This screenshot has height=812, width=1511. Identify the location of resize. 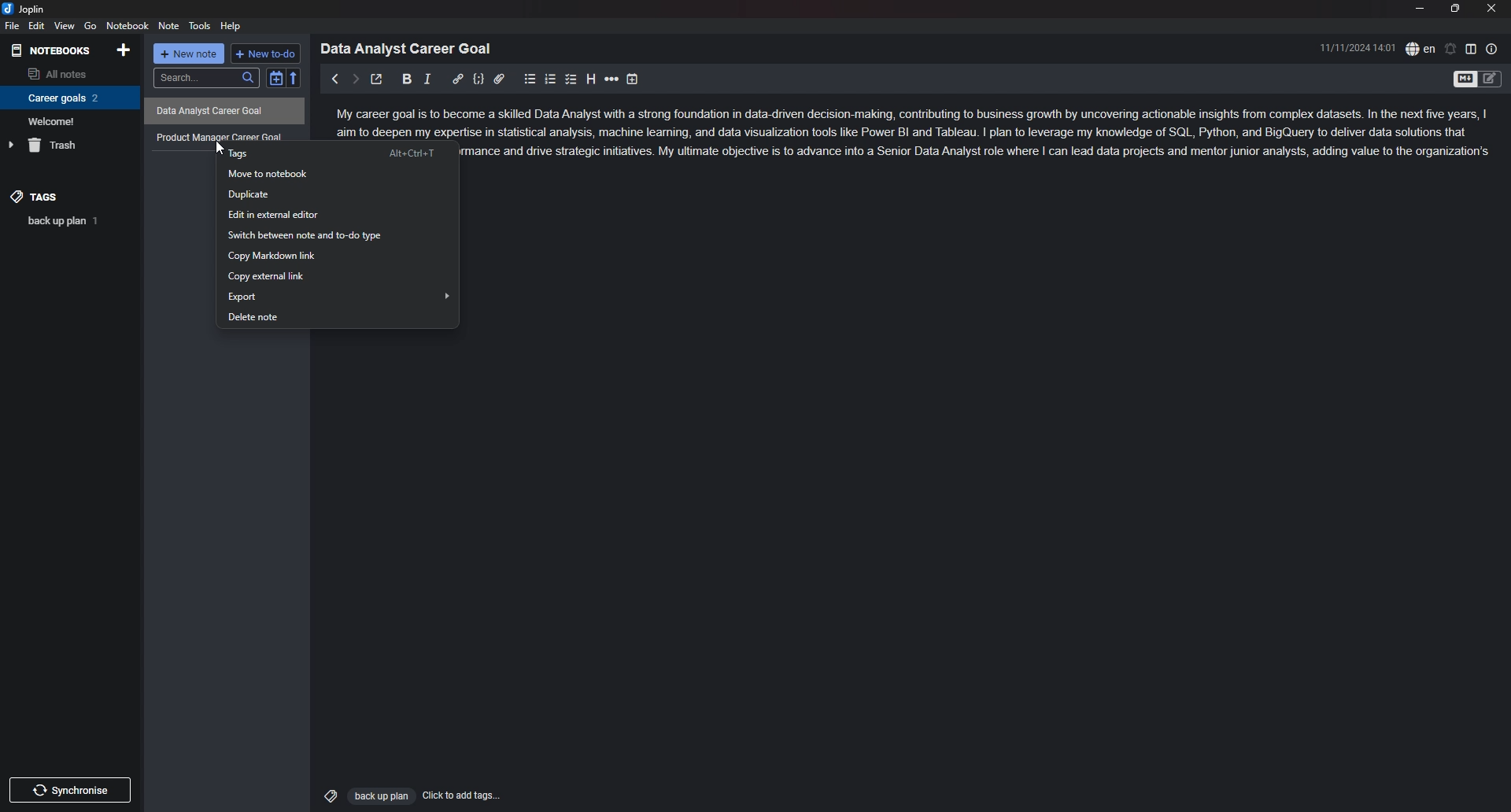
(1456, 8).